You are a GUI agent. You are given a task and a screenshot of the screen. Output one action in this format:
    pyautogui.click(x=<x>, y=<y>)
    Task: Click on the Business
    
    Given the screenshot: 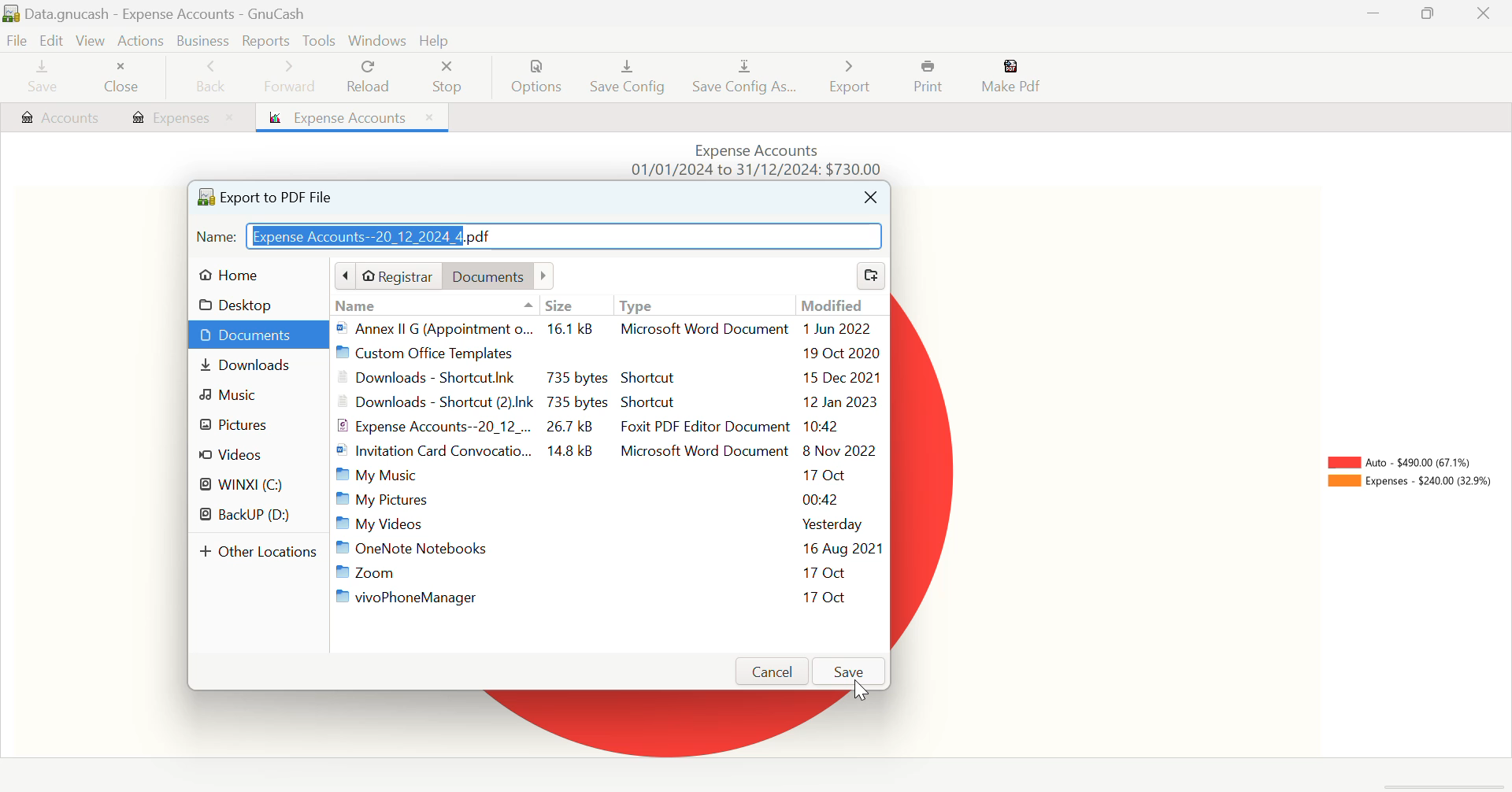 What is the action you would take?
    pyautogui.click(x=205, y=41)
    